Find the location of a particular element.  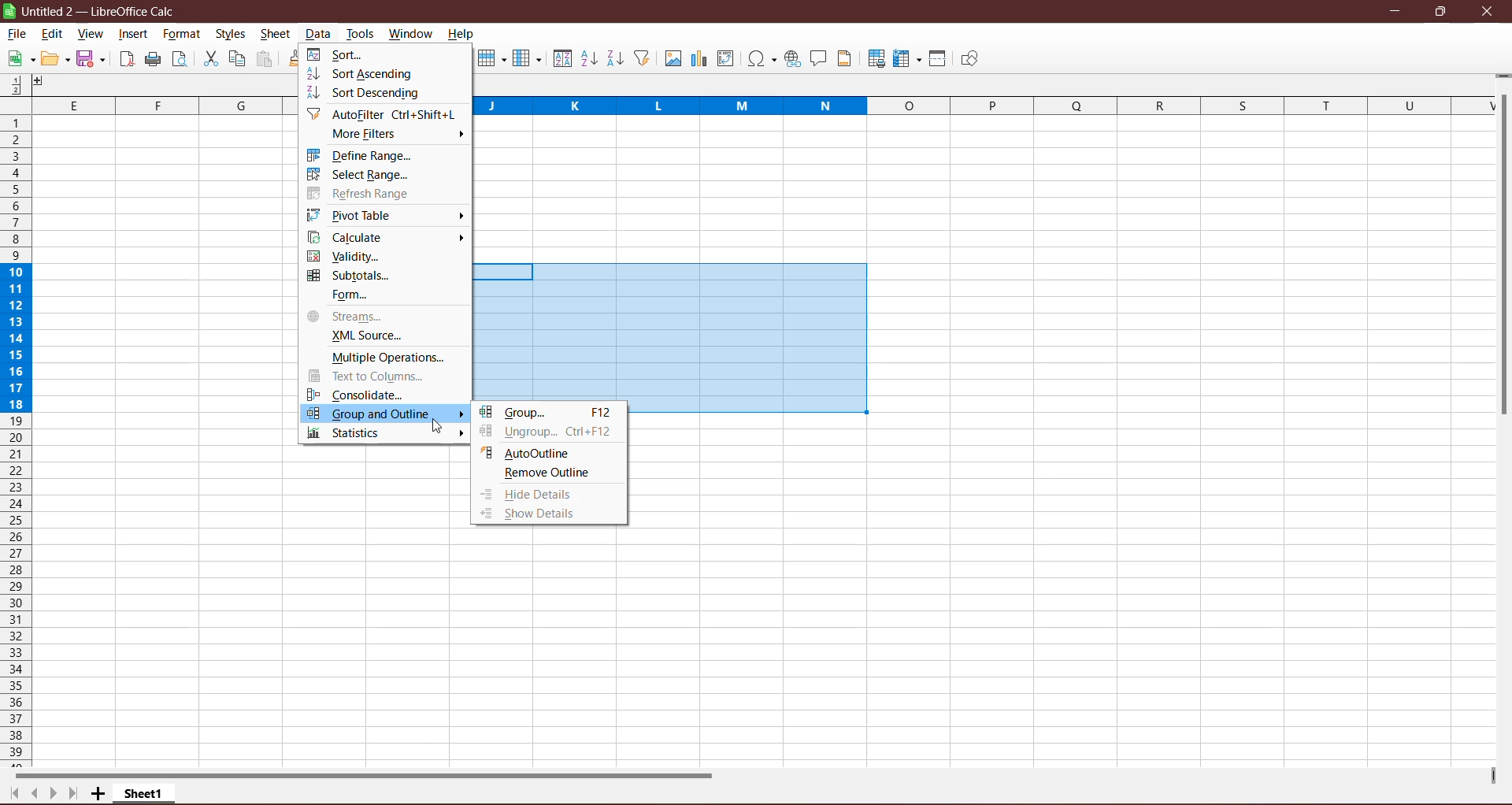

Sort Descending is located at coordinates (370, 95).